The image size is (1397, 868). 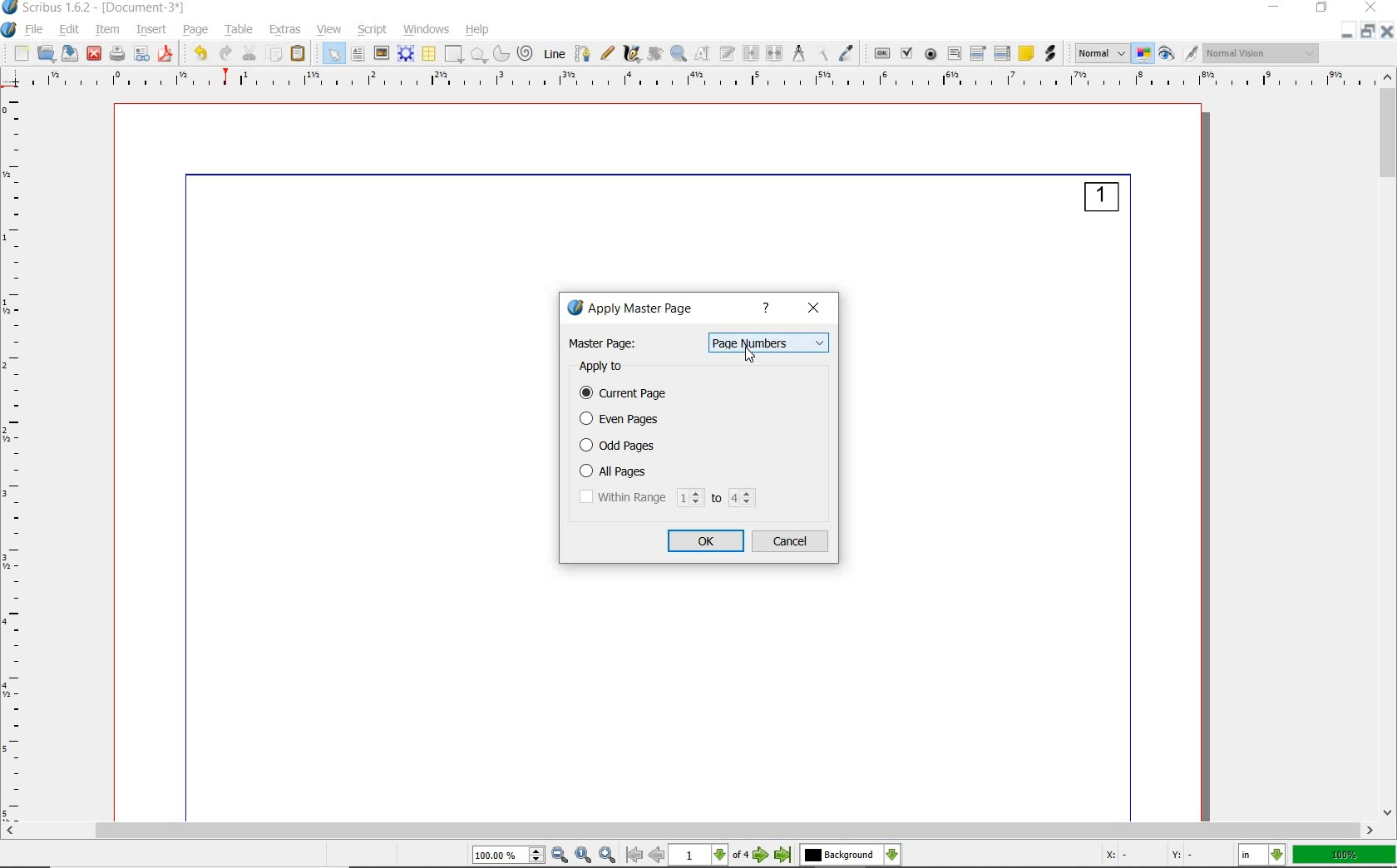 I want to click on zoom in or zoom out, so click(x=678, y=53).